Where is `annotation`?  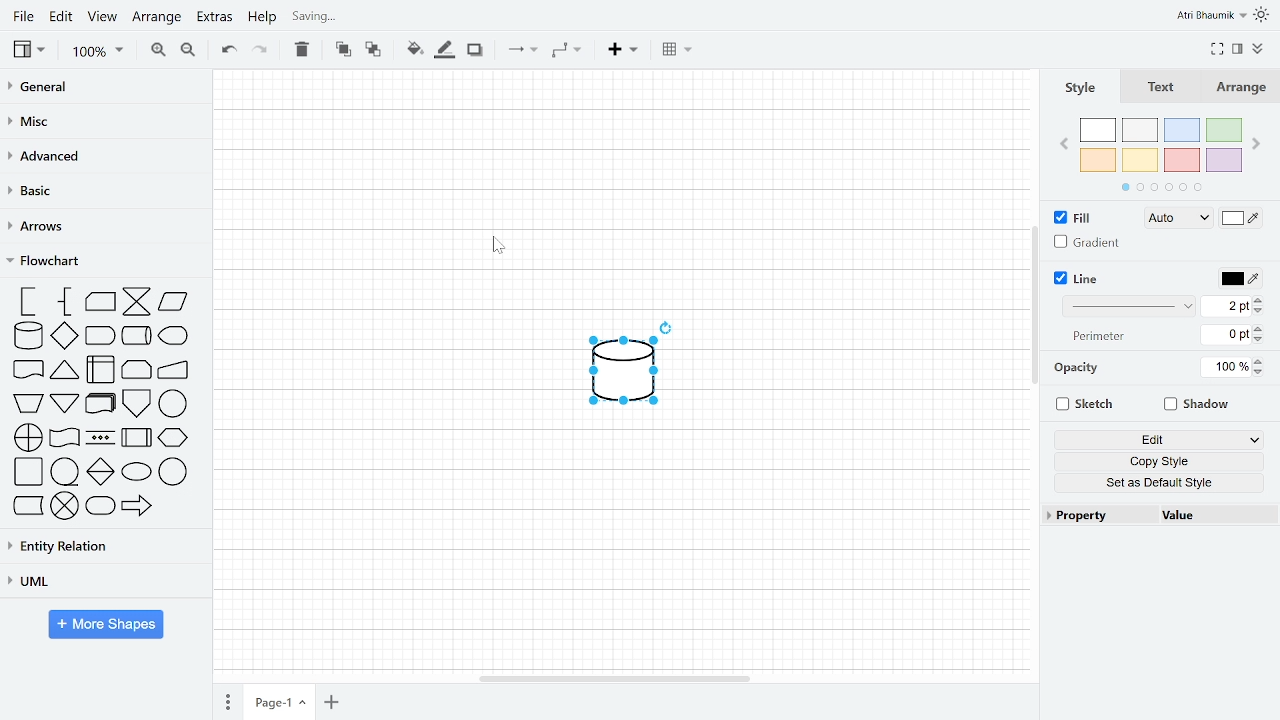 annotation is located at coordinates (66, 303).